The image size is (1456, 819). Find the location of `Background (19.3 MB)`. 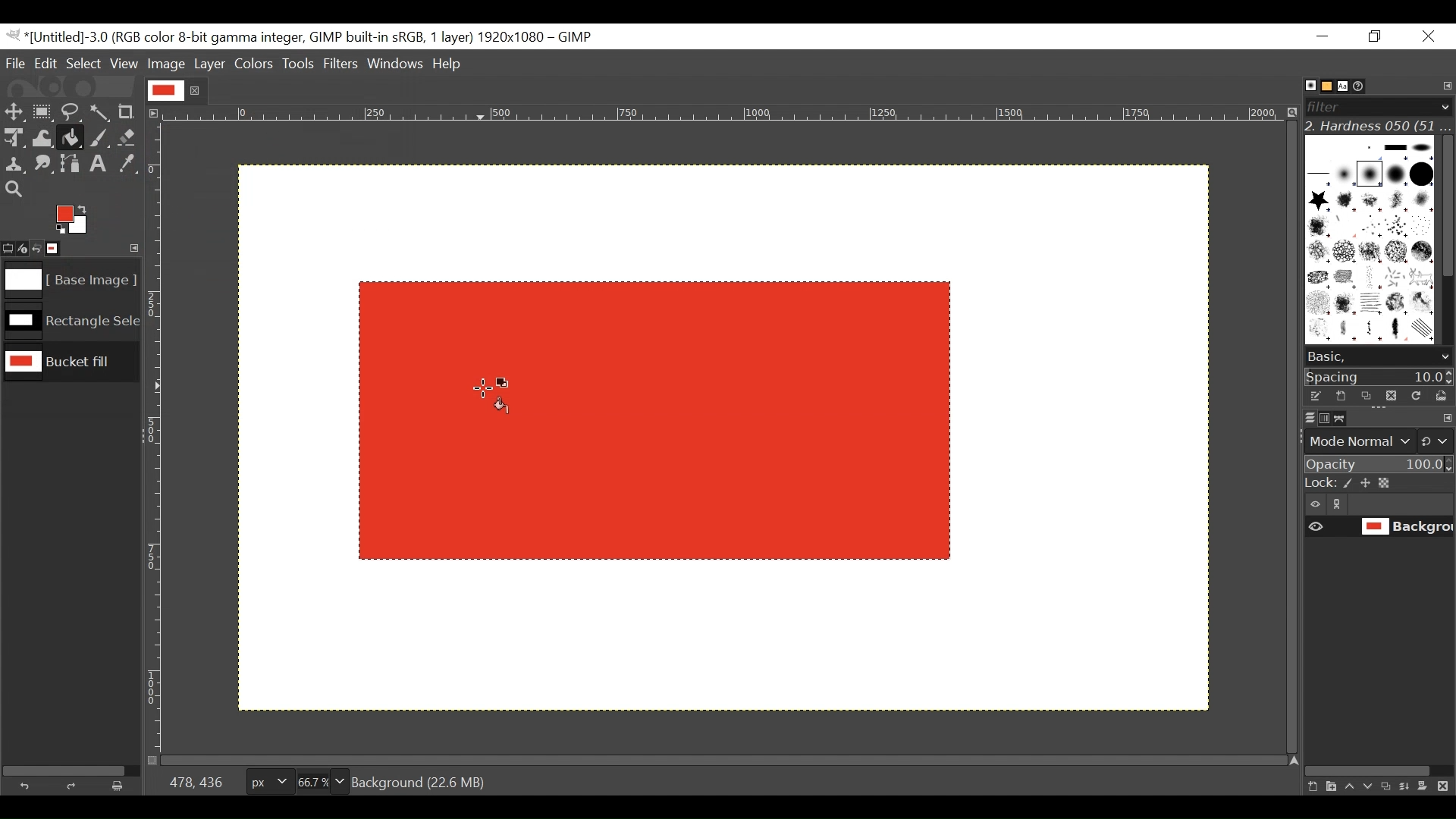

Background (19.3 MB) is located at coordinates (422, 781).